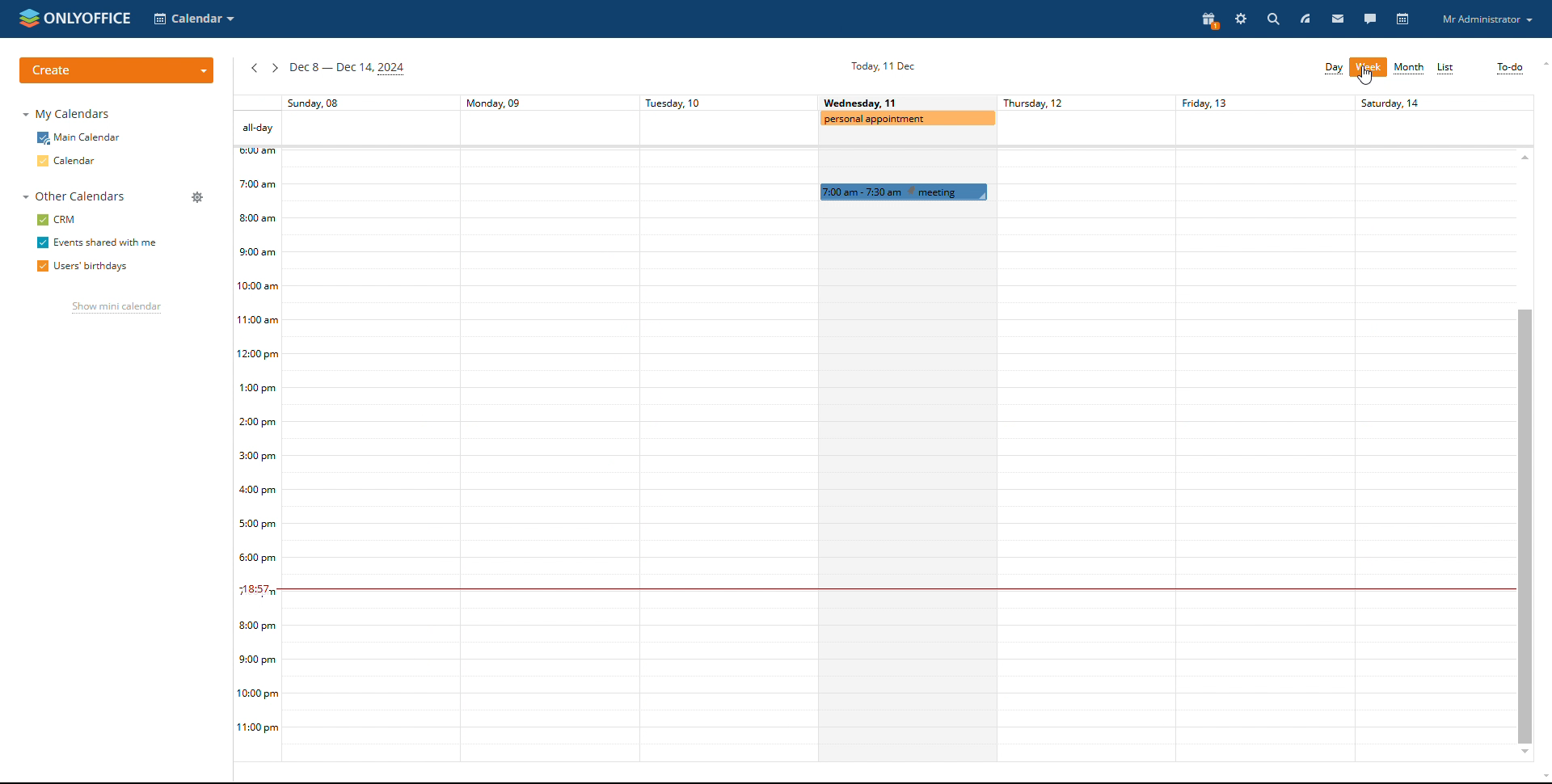 The height and width of the screenshot is (784, 1552). I want to click on logo, so click(75, 19).